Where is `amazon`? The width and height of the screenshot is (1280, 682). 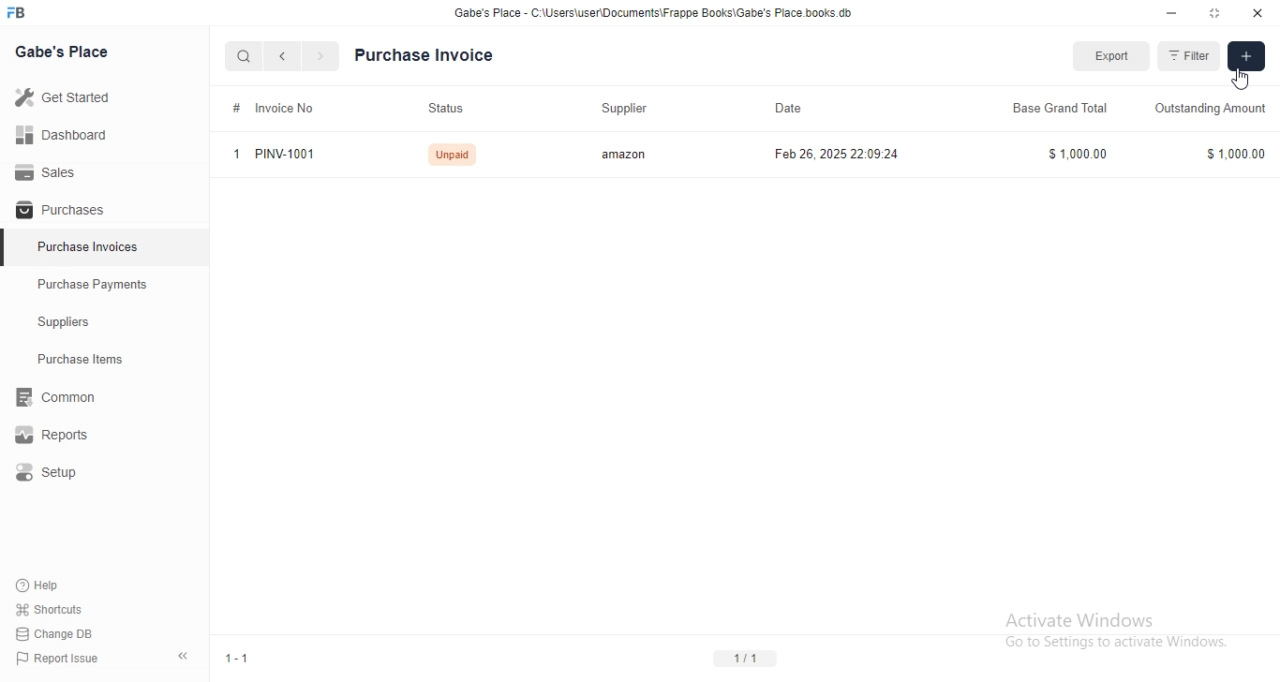 amazon is located at coordinates (625, 154).